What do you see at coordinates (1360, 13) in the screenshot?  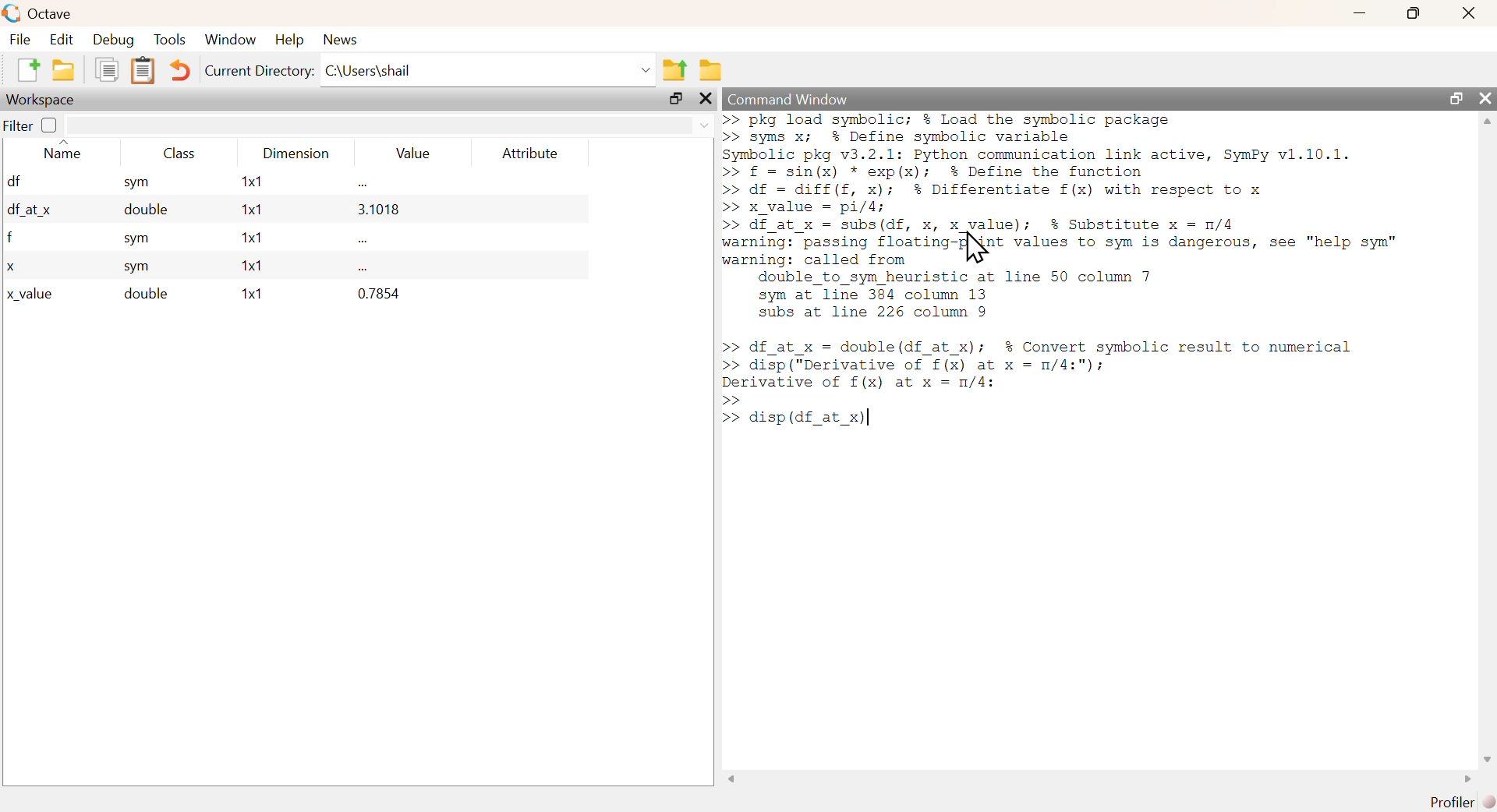 I see `minimize` at bounding box center [1360, 13].